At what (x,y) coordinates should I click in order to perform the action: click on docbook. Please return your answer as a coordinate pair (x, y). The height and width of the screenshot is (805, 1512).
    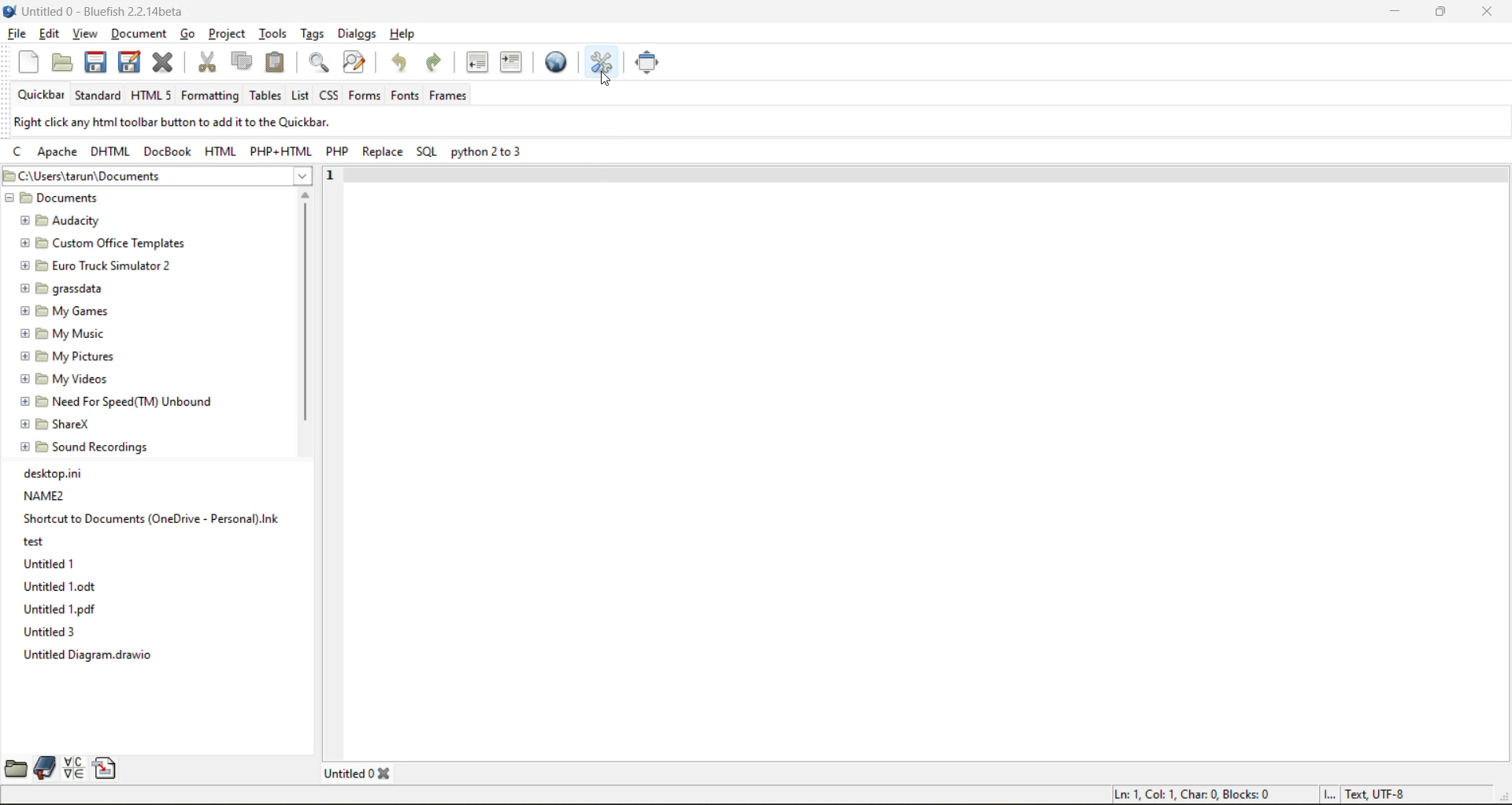
    Looking at the image, I should click on (166, 152).